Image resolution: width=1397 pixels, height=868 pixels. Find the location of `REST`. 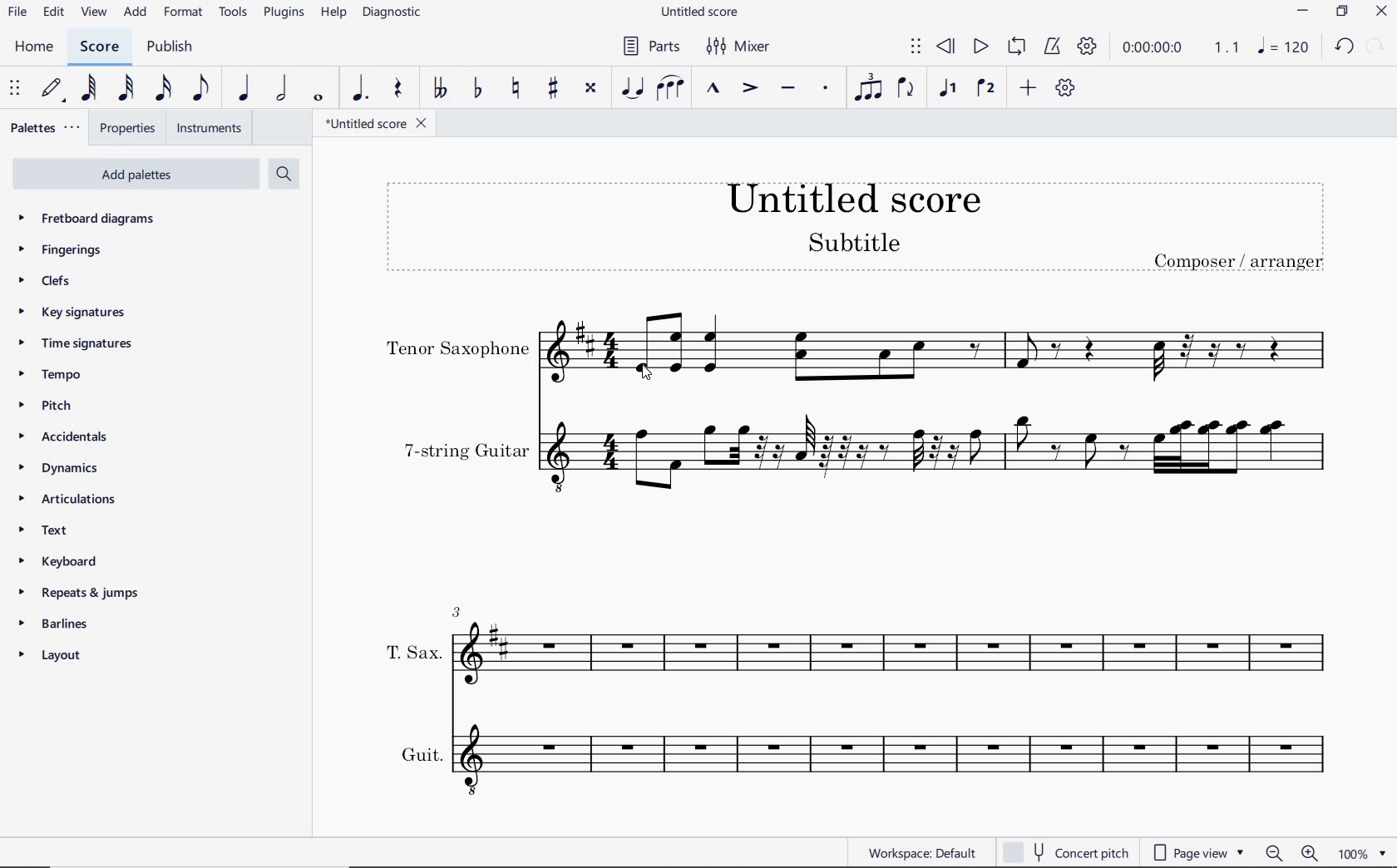

REST is located at coordinates (396, 89).